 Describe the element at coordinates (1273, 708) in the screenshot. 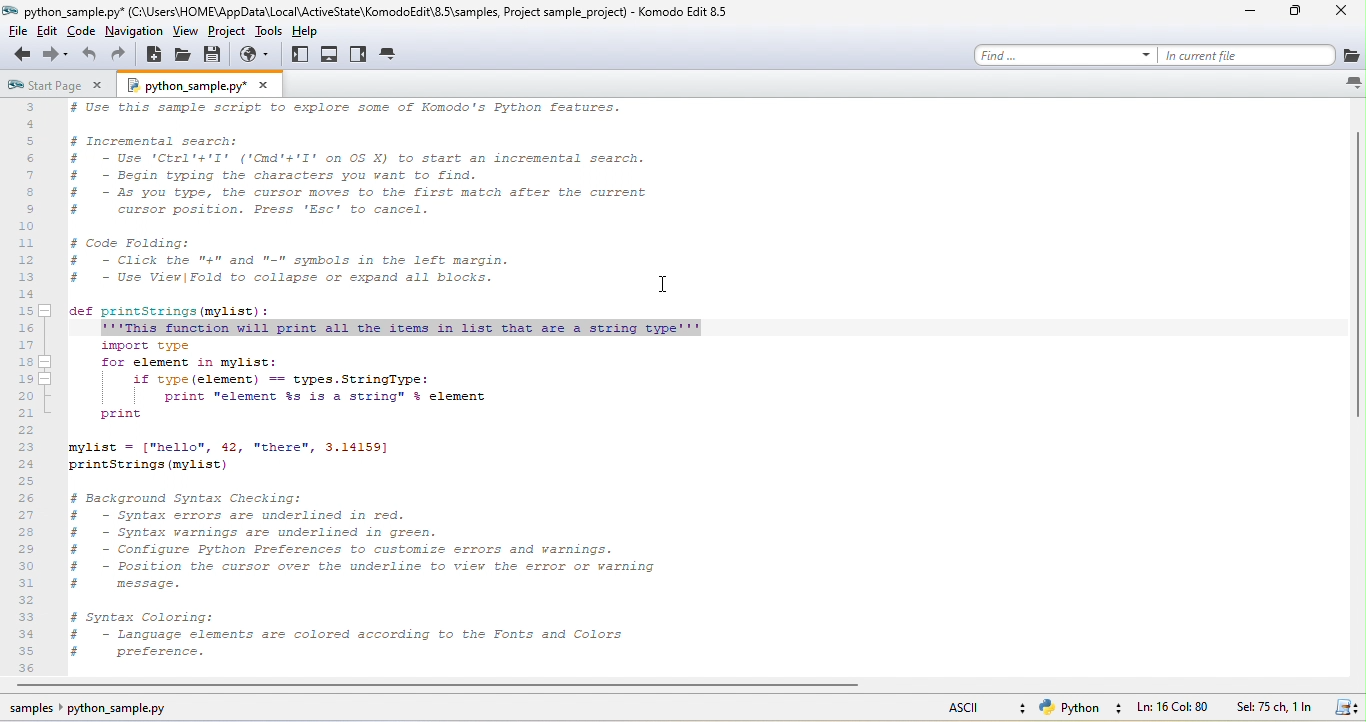

I see `sel 75 ch 1 ln` at that location.